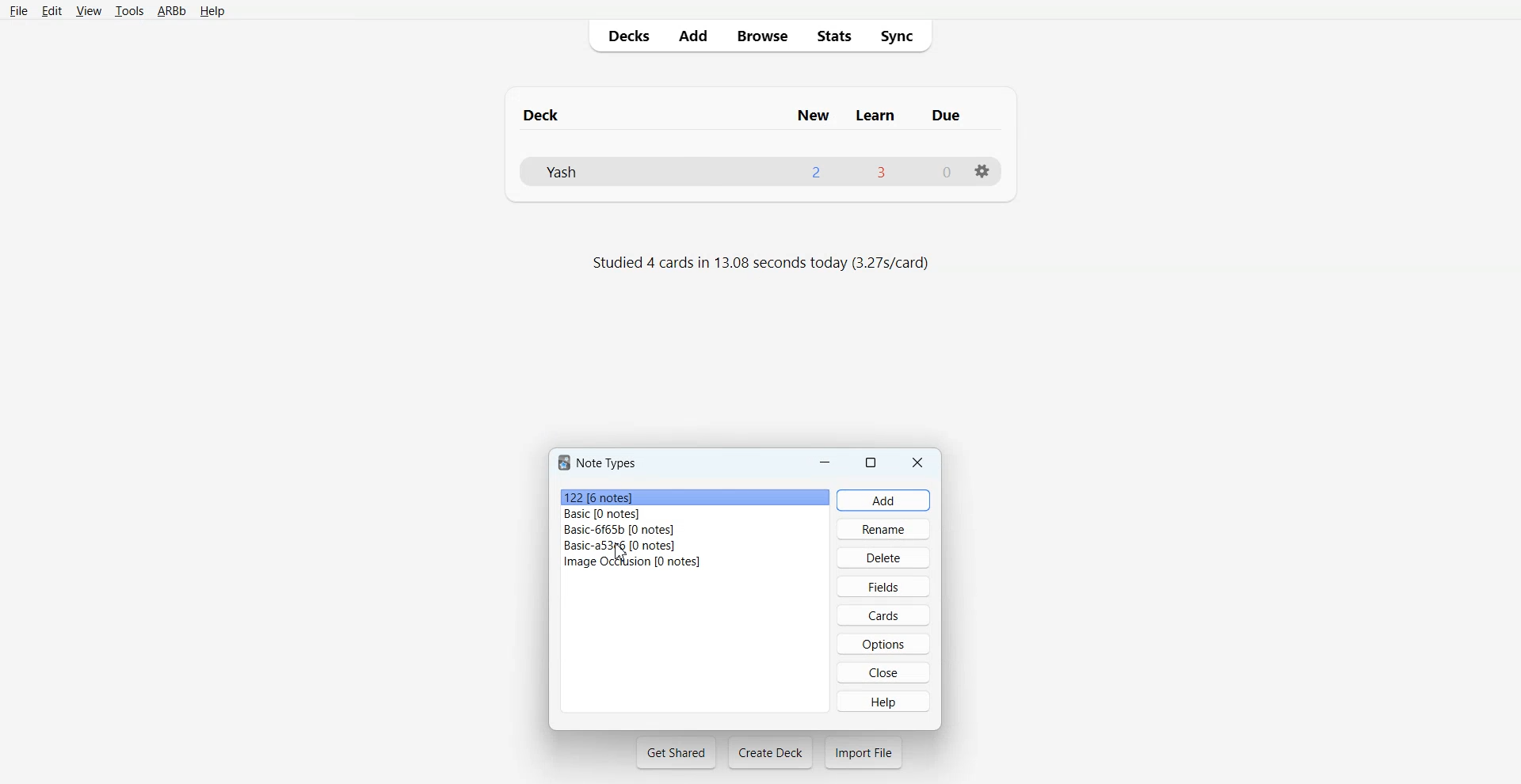  Describe the element at coordinates (18, 10) in the screenshot. I see `File` at that location.